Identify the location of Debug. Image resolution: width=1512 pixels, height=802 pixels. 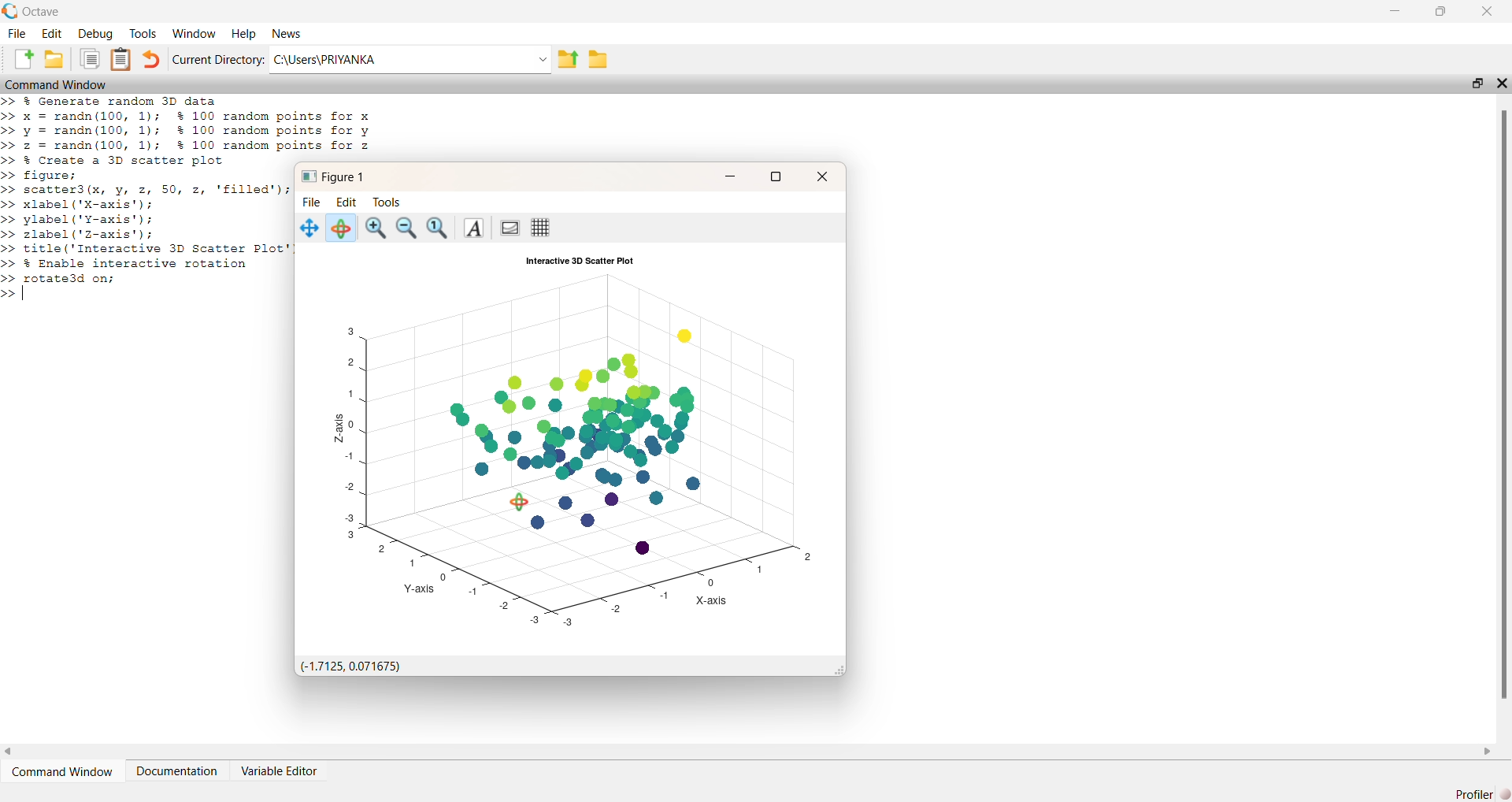
(96, 34).